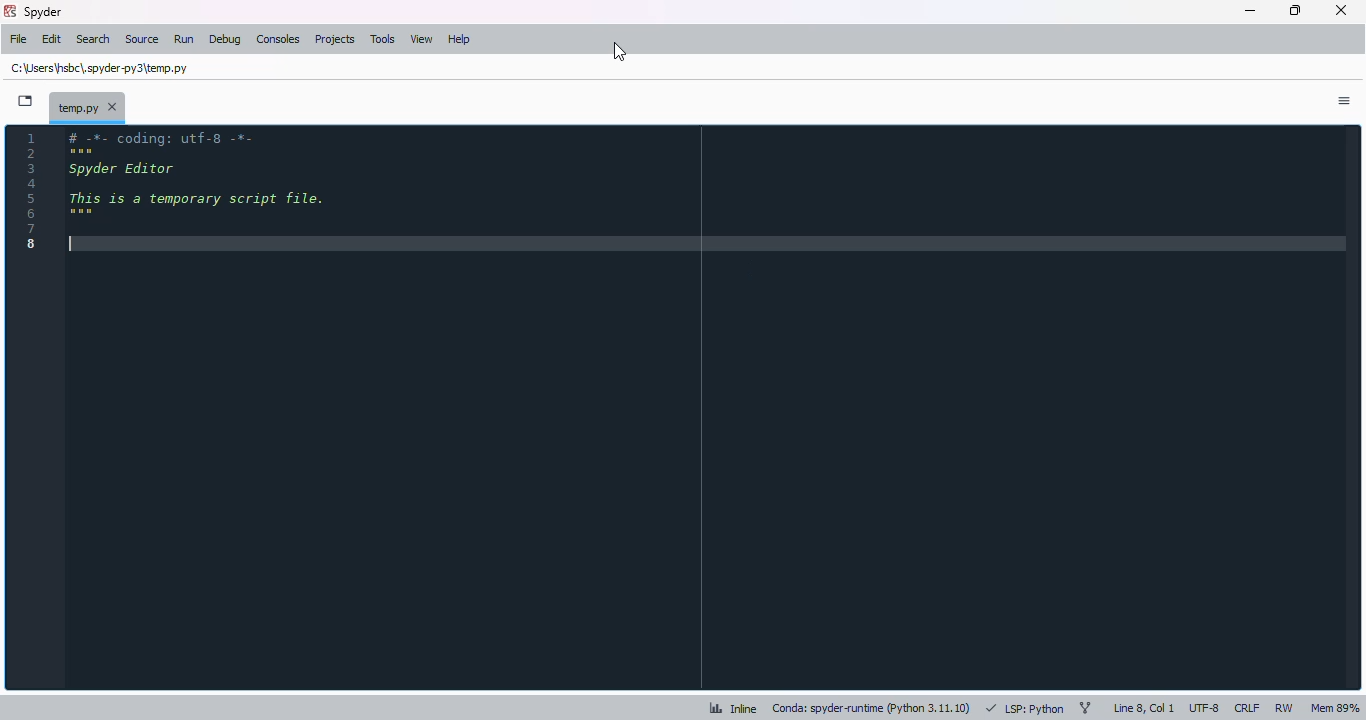 The height and width of the screenshot is (720, 1366). I want to click on close, so click(1343, 10).